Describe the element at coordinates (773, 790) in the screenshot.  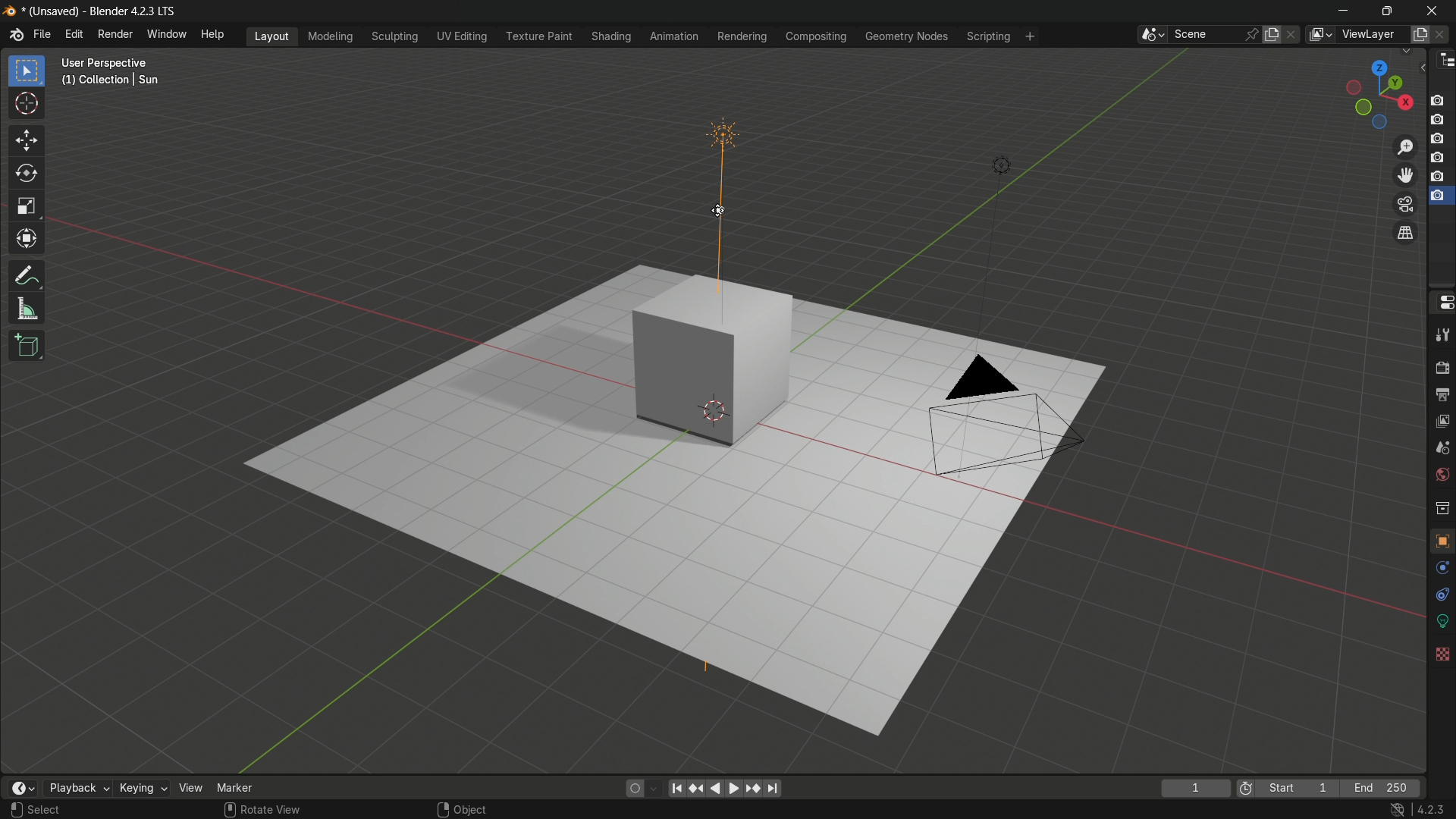
I see `jump to endpoint` at that location.